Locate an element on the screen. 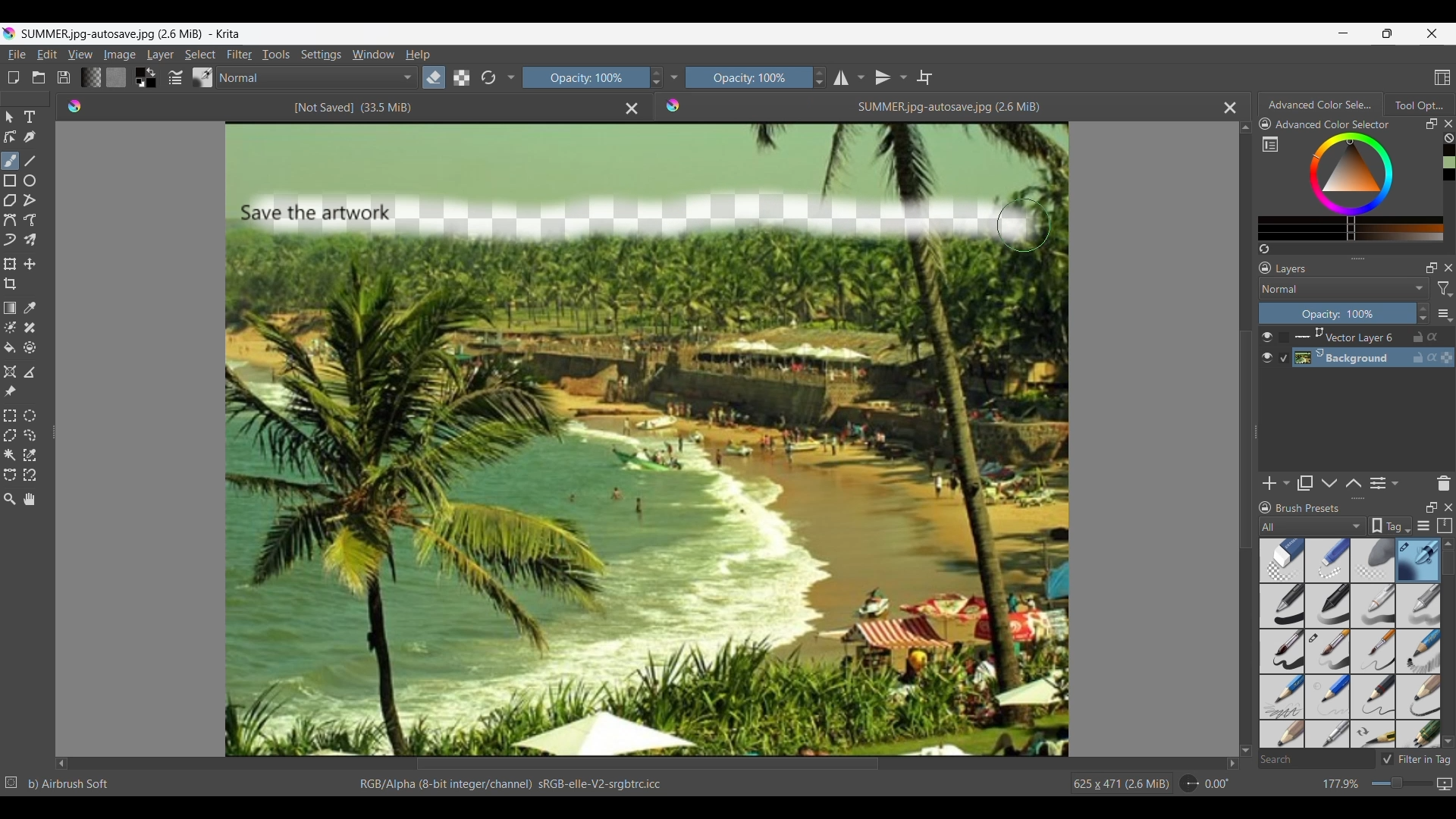 The image size is (1456, 819). Advanced color Selector is located at coordinates (1322, 102).